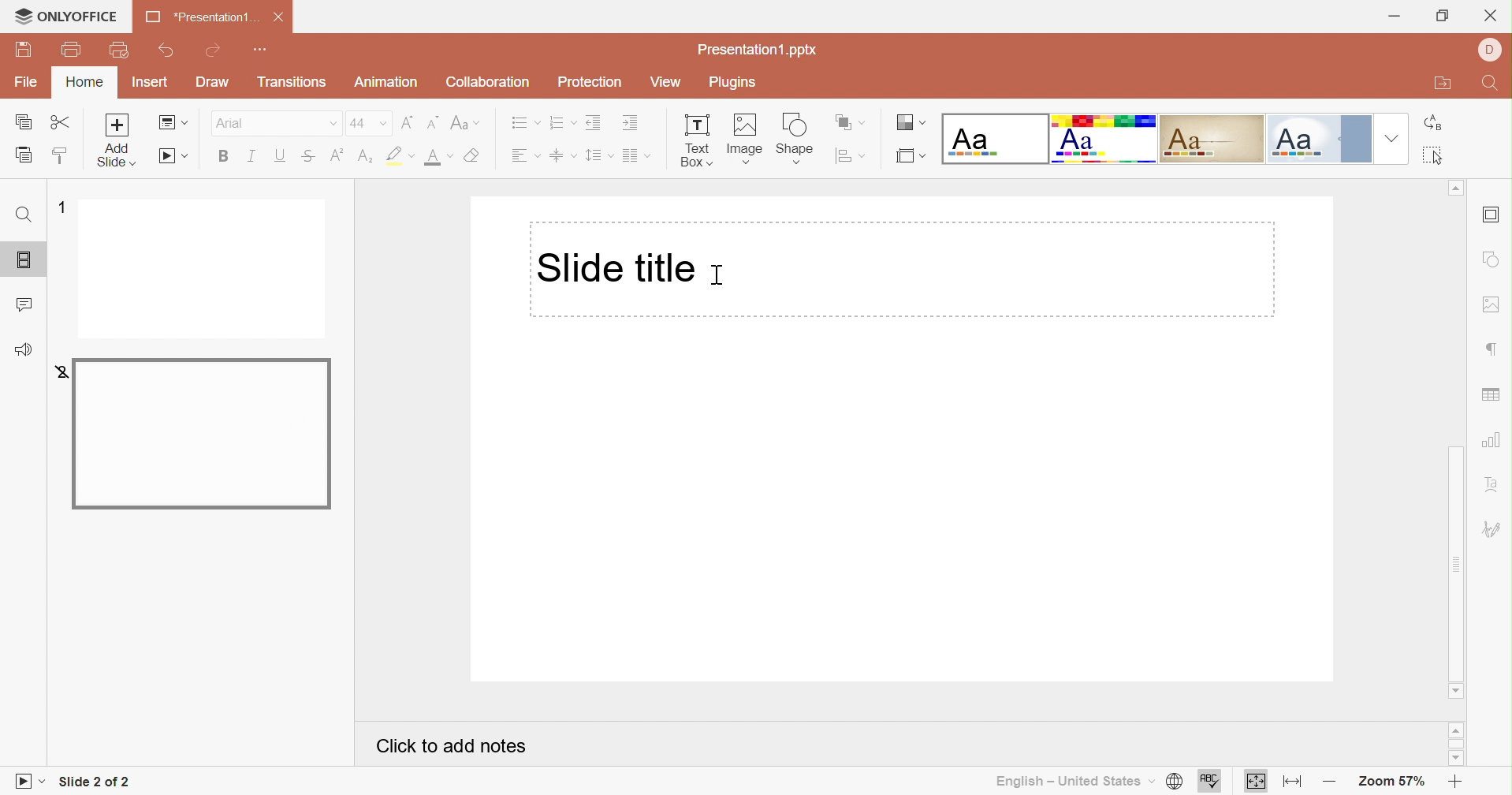 Image resolution: width=1512 pixels, height=795 pixels. I want to click on Vertical align, so click(564, 155).